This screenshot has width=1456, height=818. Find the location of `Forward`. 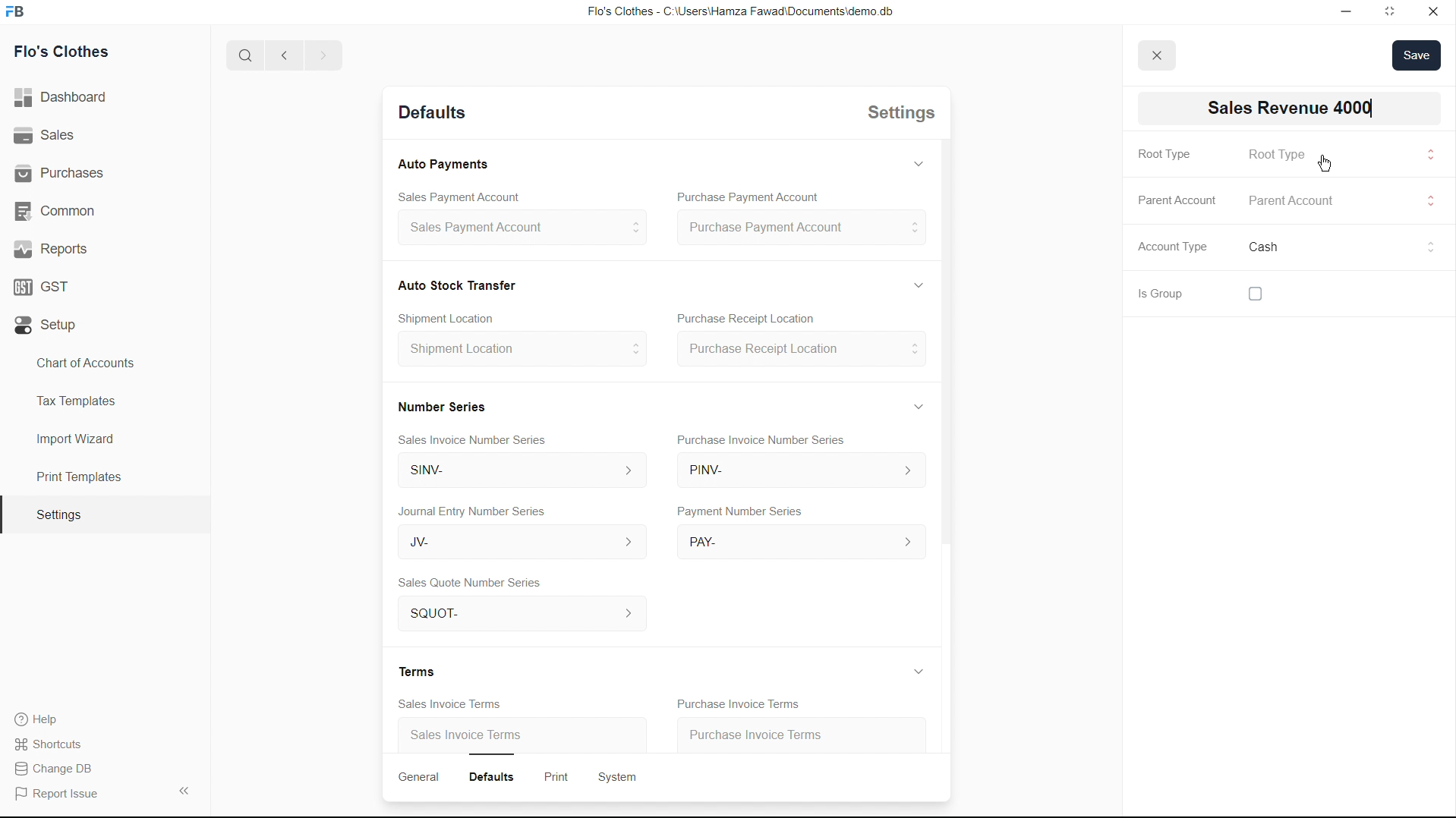

Forward is located at coordinates (323, 55).